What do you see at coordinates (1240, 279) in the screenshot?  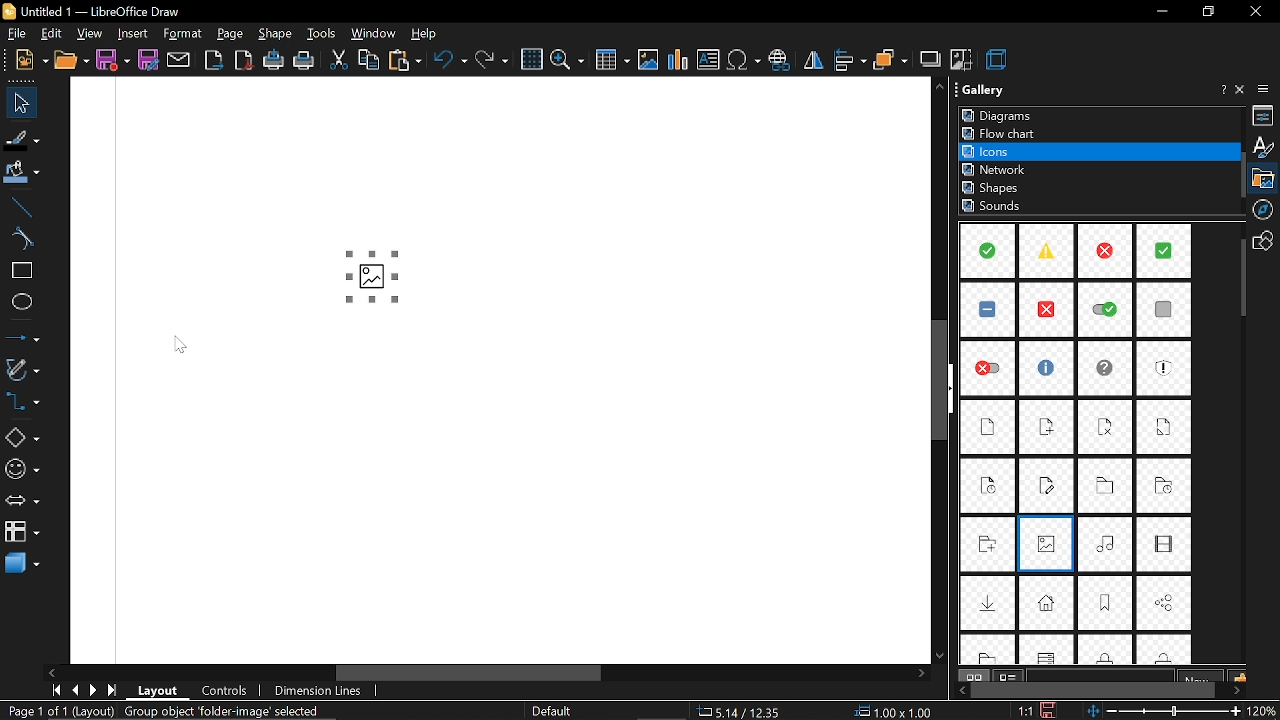 I see `vertical scrollbar` at bounding box center [1240, 279].